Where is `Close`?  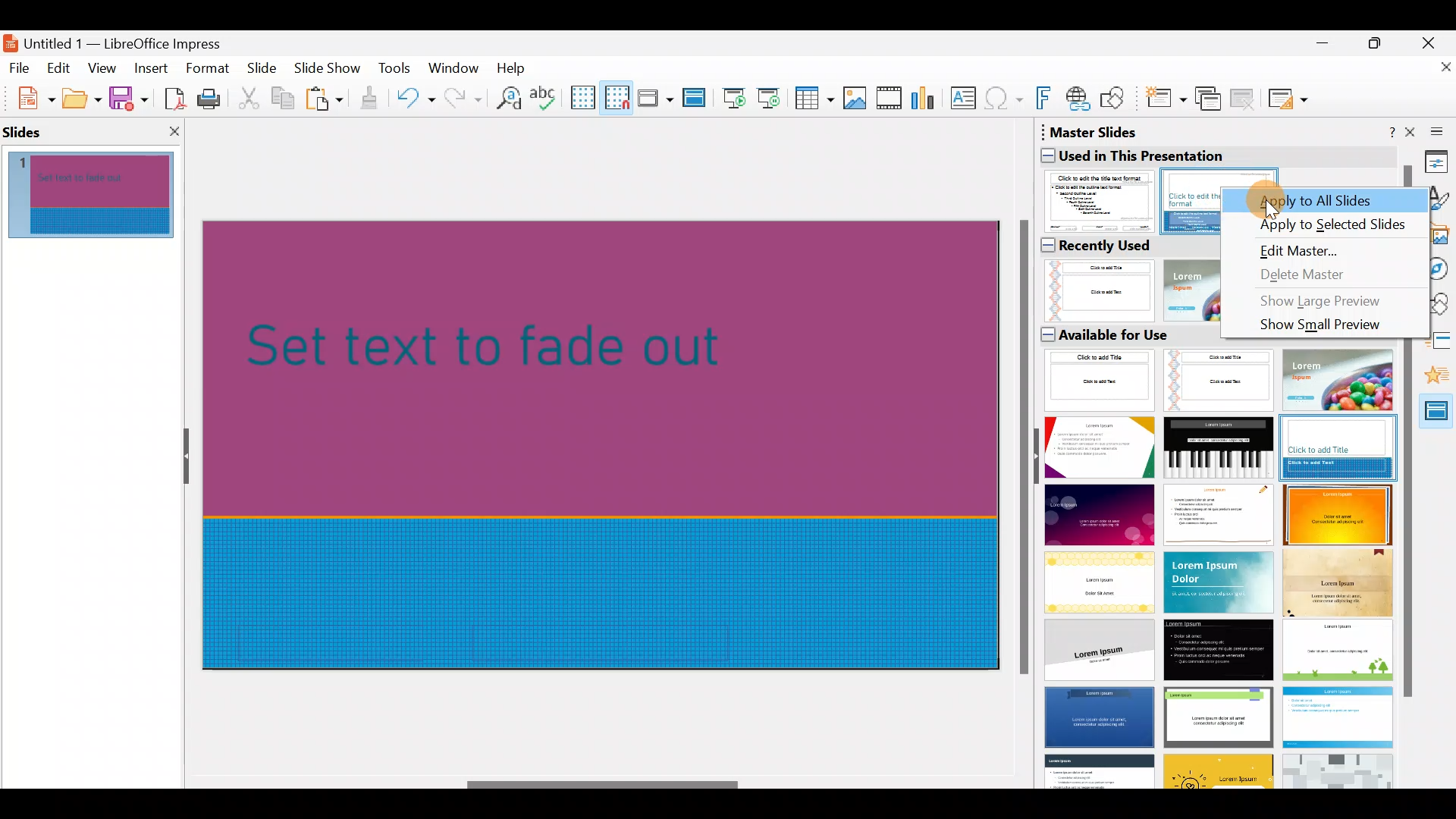 Close is located at coordinates (1434, 41).